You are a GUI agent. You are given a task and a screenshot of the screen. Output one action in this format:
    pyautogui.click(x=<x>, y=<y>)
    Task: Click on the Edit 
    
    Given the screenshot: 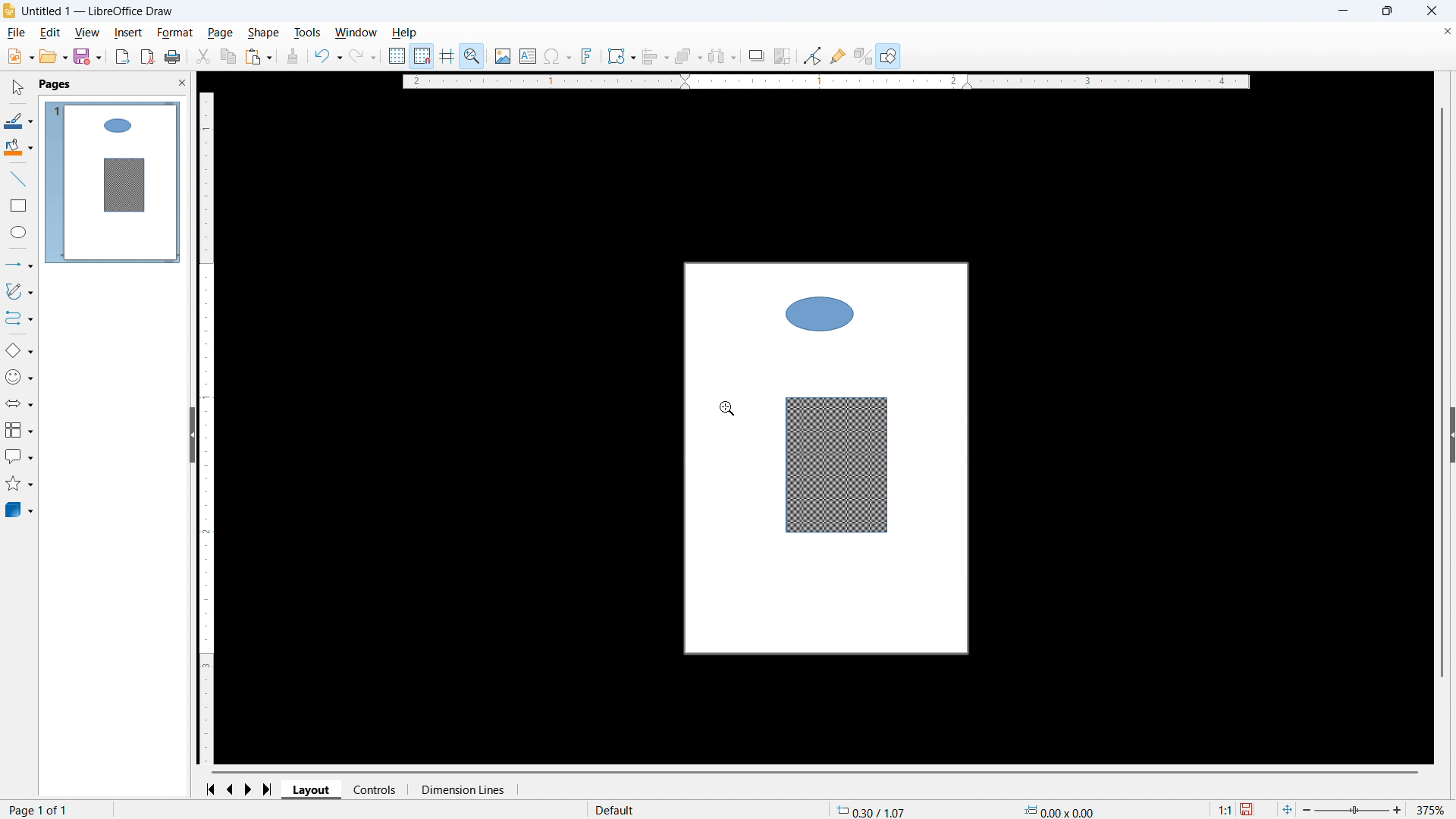 What is the action you would take?
    pyautogui.click(x=51, y=33)
    